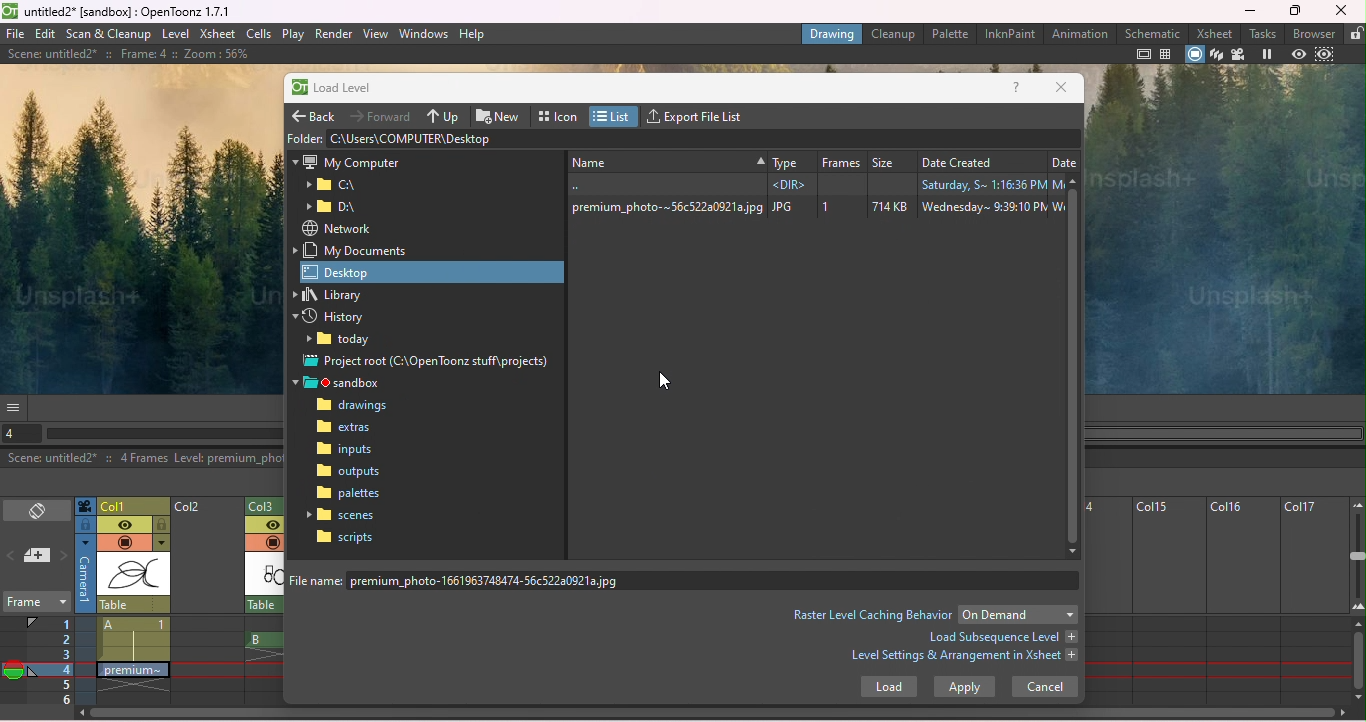 Image resolution: width=1366 pixels, height=722 pixels. Describe the element at coordinates (1018, 614) in the screenshot. I see `Drop down menu` at that location.